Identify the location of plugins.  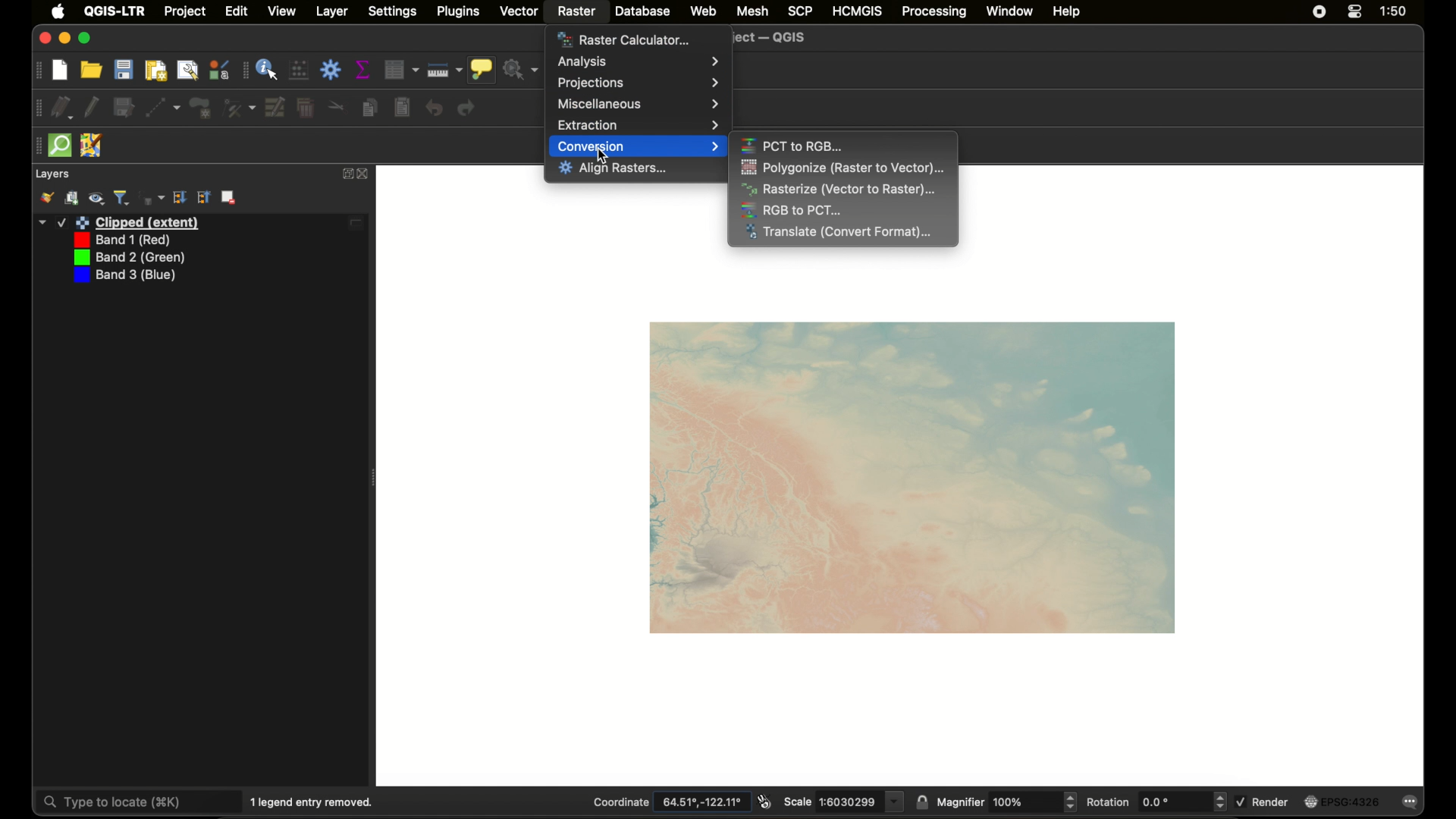
(459, 11).